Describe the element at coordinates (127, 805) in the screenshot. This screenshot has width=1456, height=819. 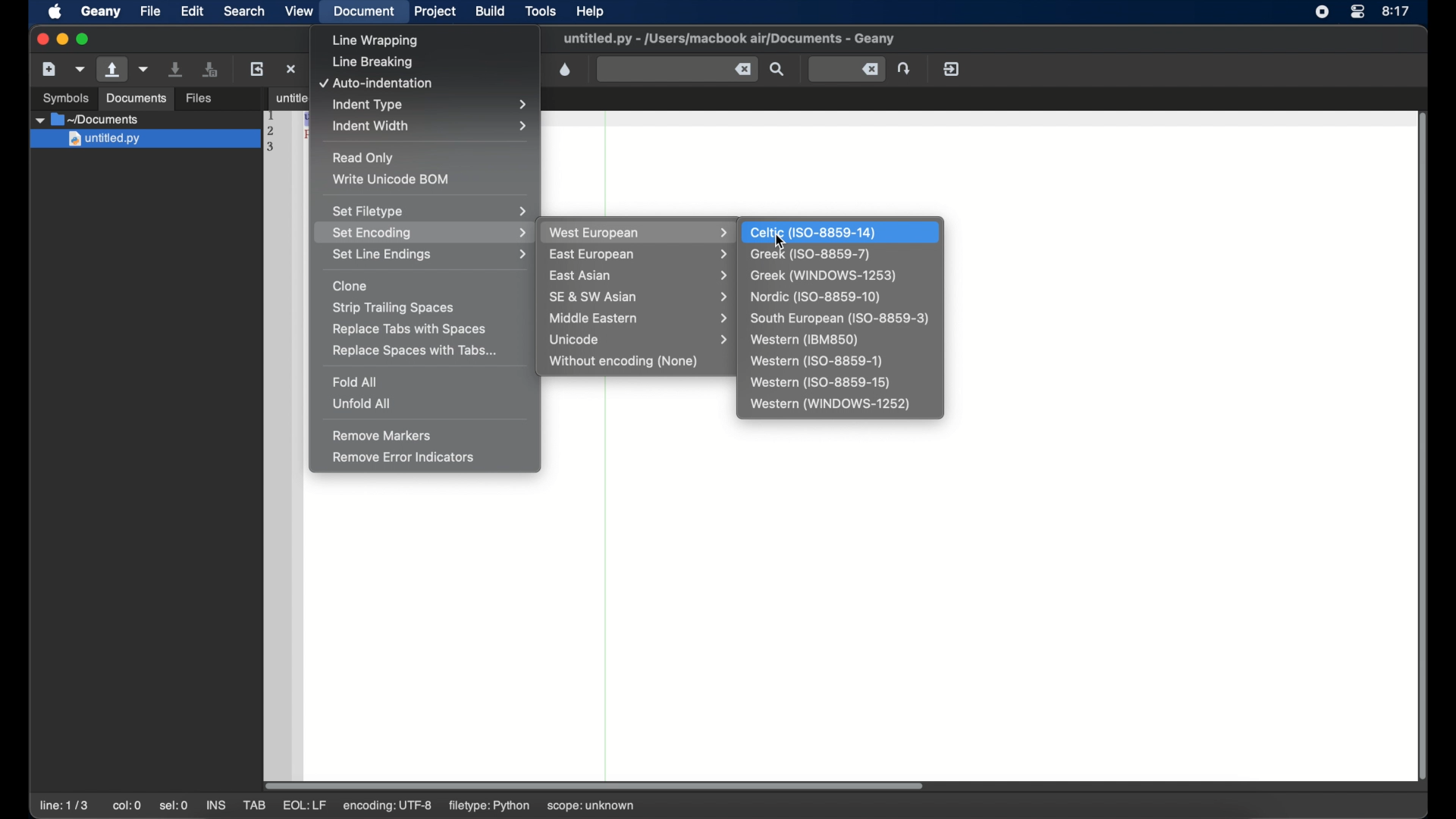
I see `col:0` at that location.